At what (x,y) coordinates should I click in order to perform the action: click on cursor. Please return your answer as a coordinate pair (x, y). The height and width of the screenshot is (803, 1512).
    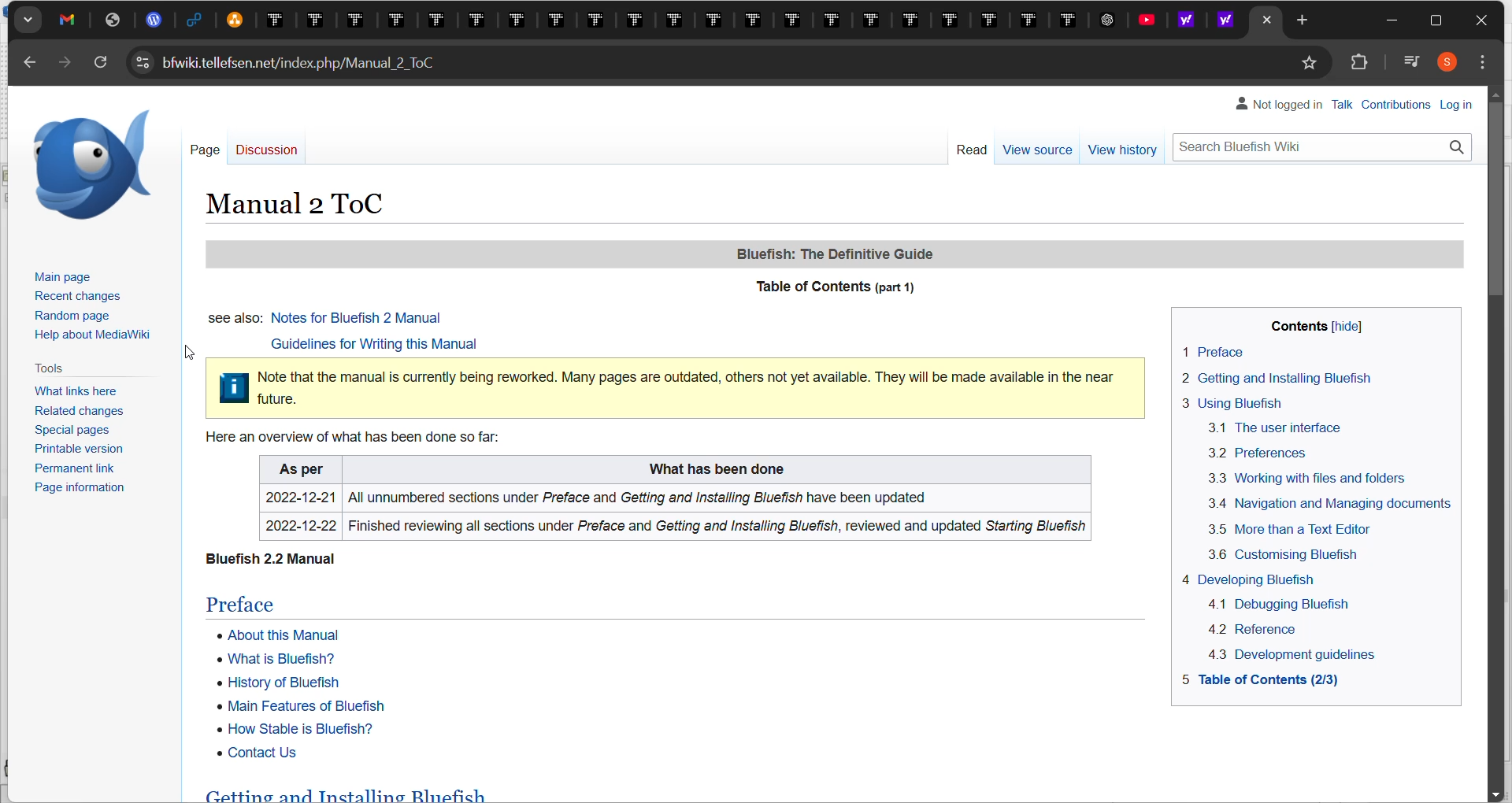
    Looking at the image, I should click on (191, 353).